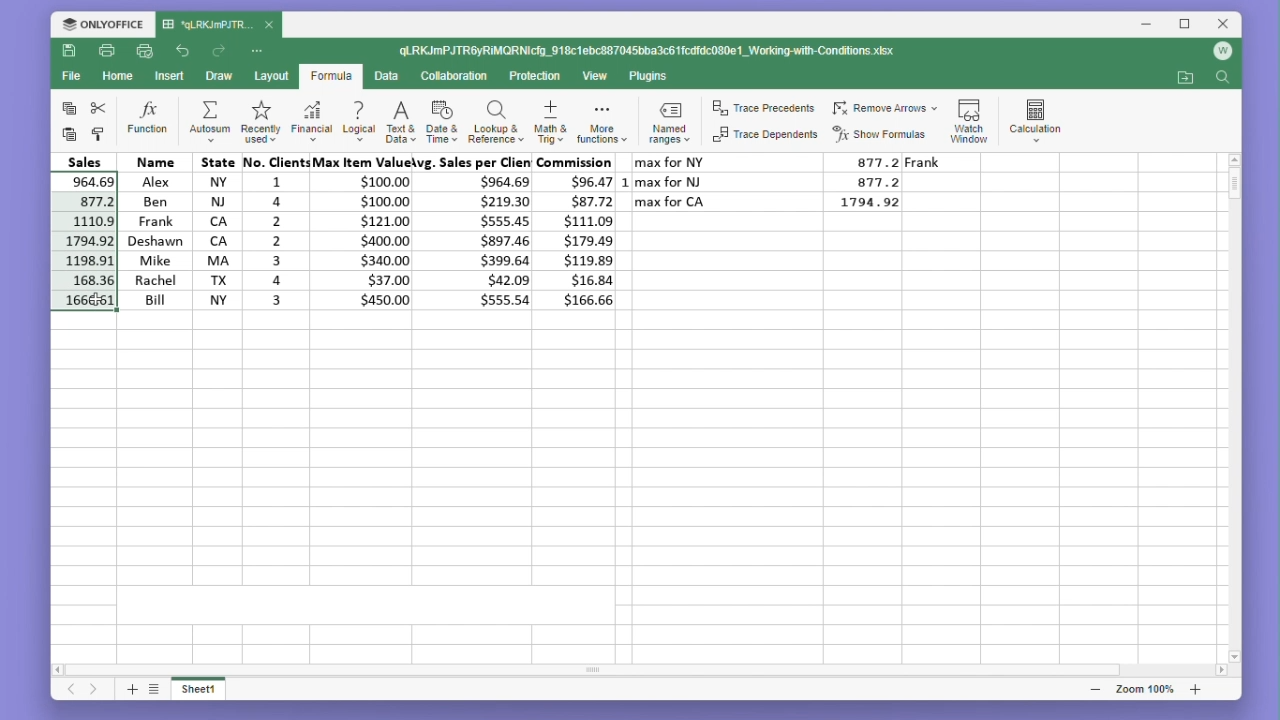 The height and width of the screenshot is (720, 1280). Describe the element at coordinates (358, 120) in the screenshot. I see `Logical` at that location.